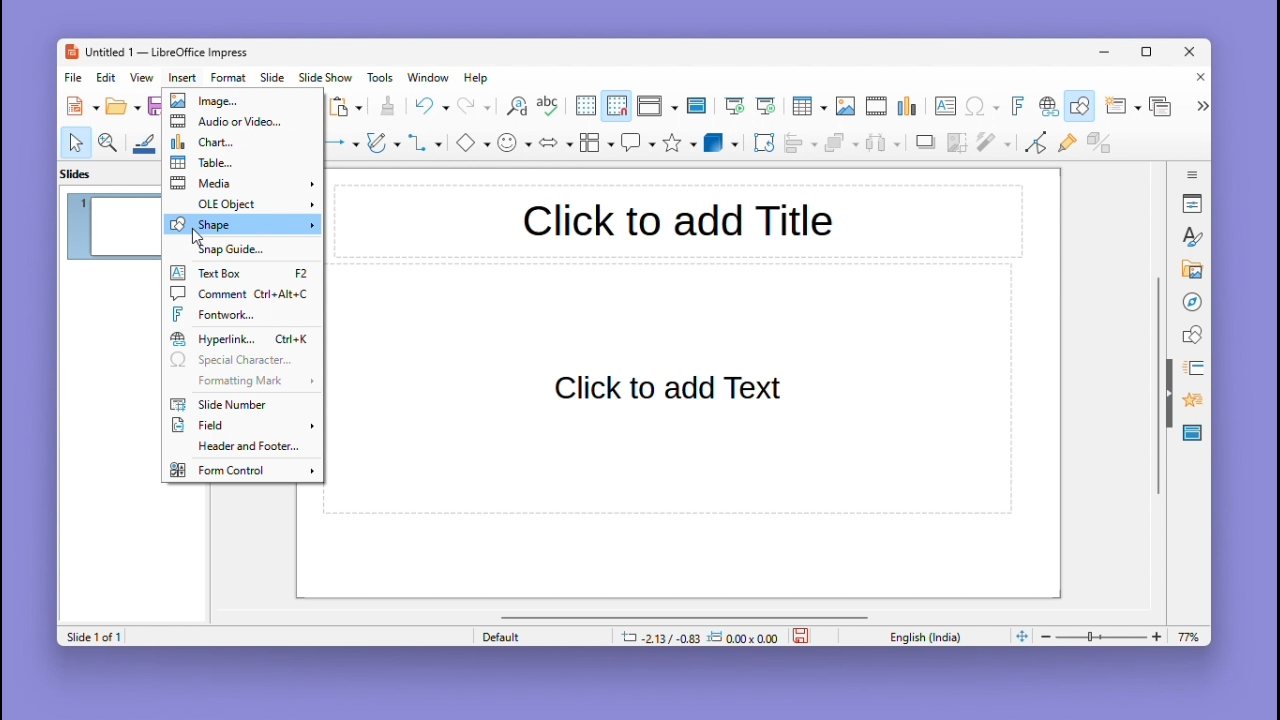  What do you see at coordinates (1046, 108) in the screenshot?
I see `Hyperlink` at bounding box center [1046, 108].